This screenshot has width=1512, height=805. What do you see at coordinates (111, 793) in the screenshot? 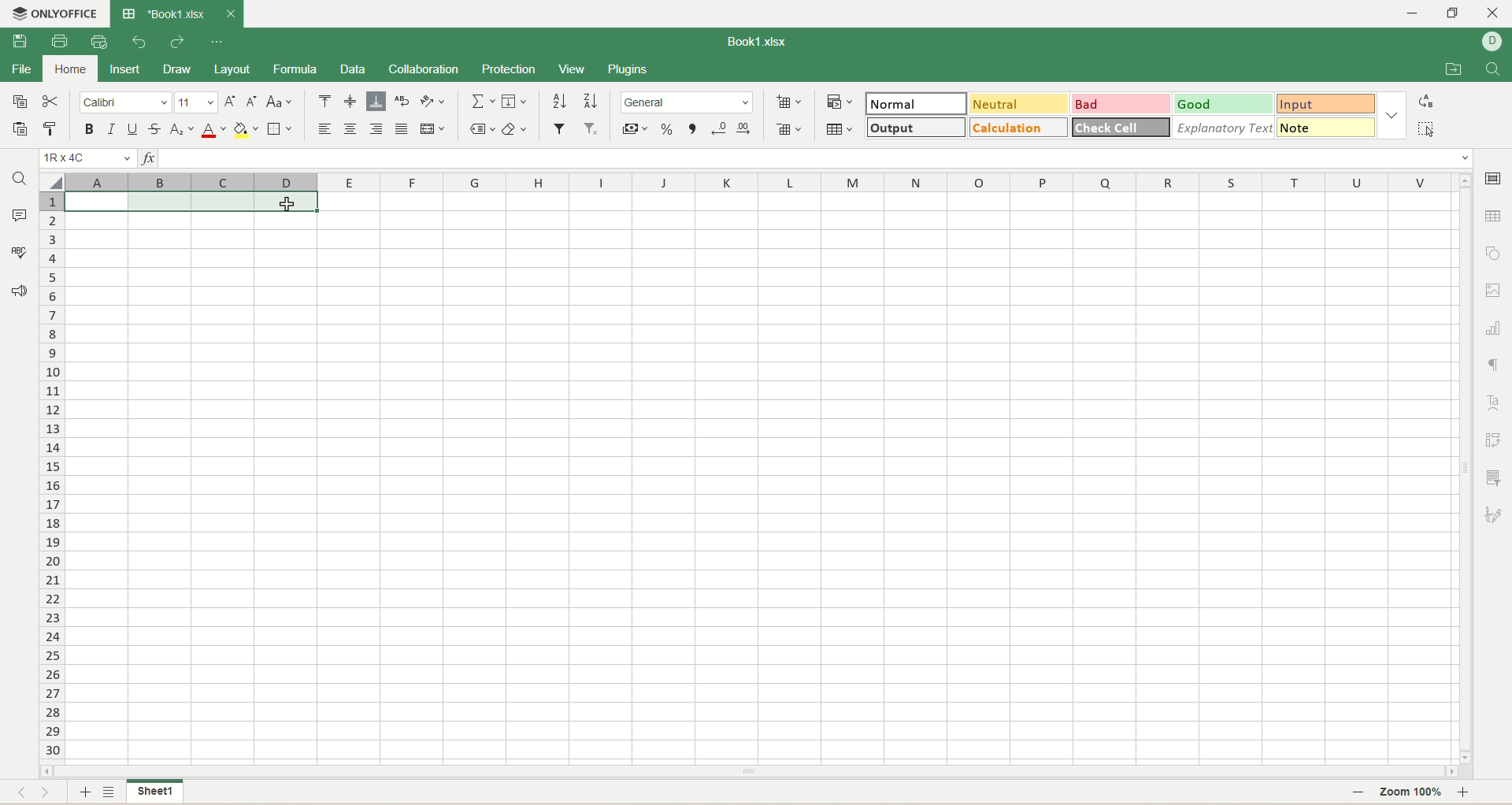
I see `sheet list` at bounding box center [111, 793].